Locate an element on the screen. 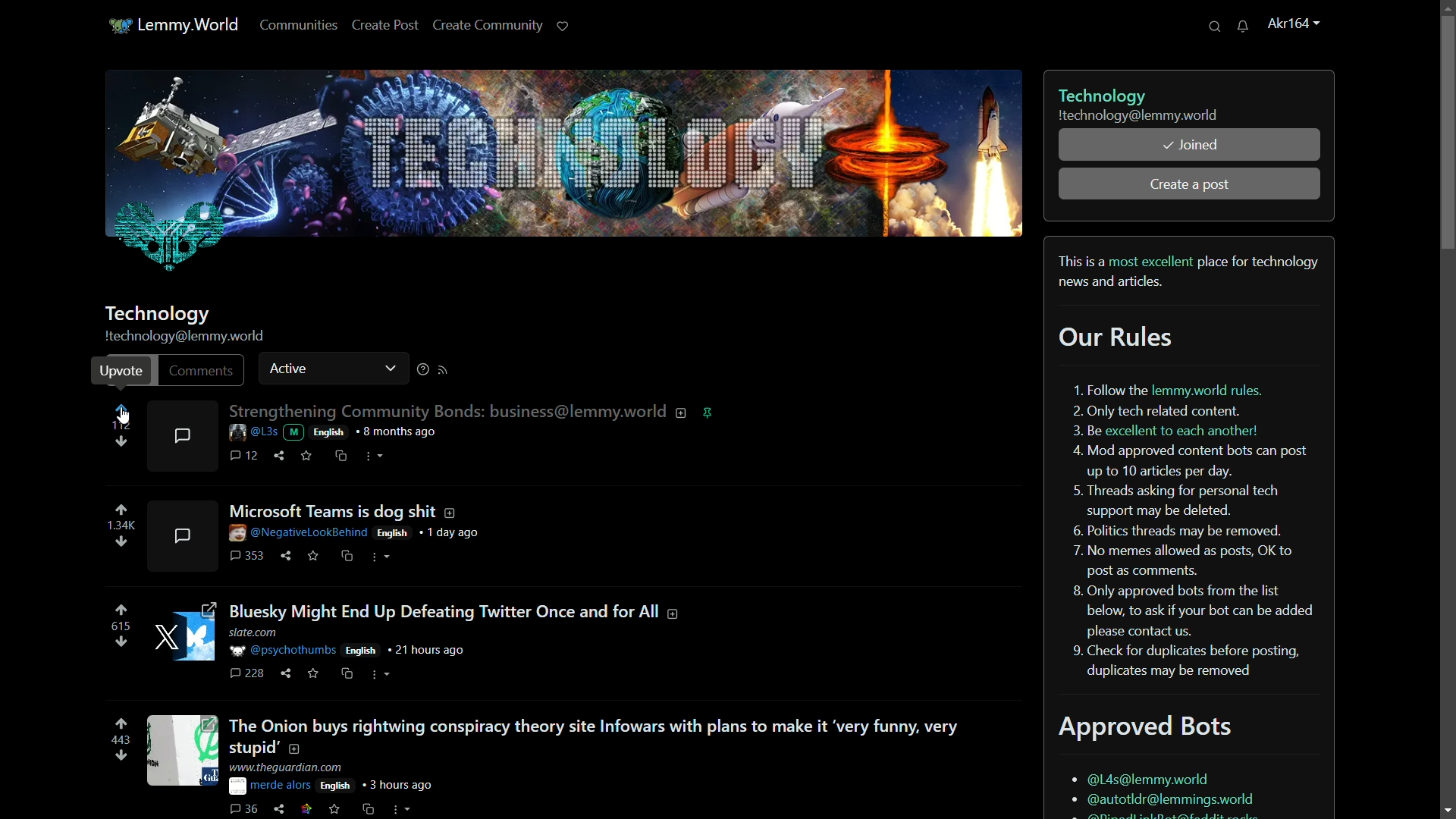 The width and height of the screenshot is (1456, 819). post-4 is located at coordinates (601, 736).